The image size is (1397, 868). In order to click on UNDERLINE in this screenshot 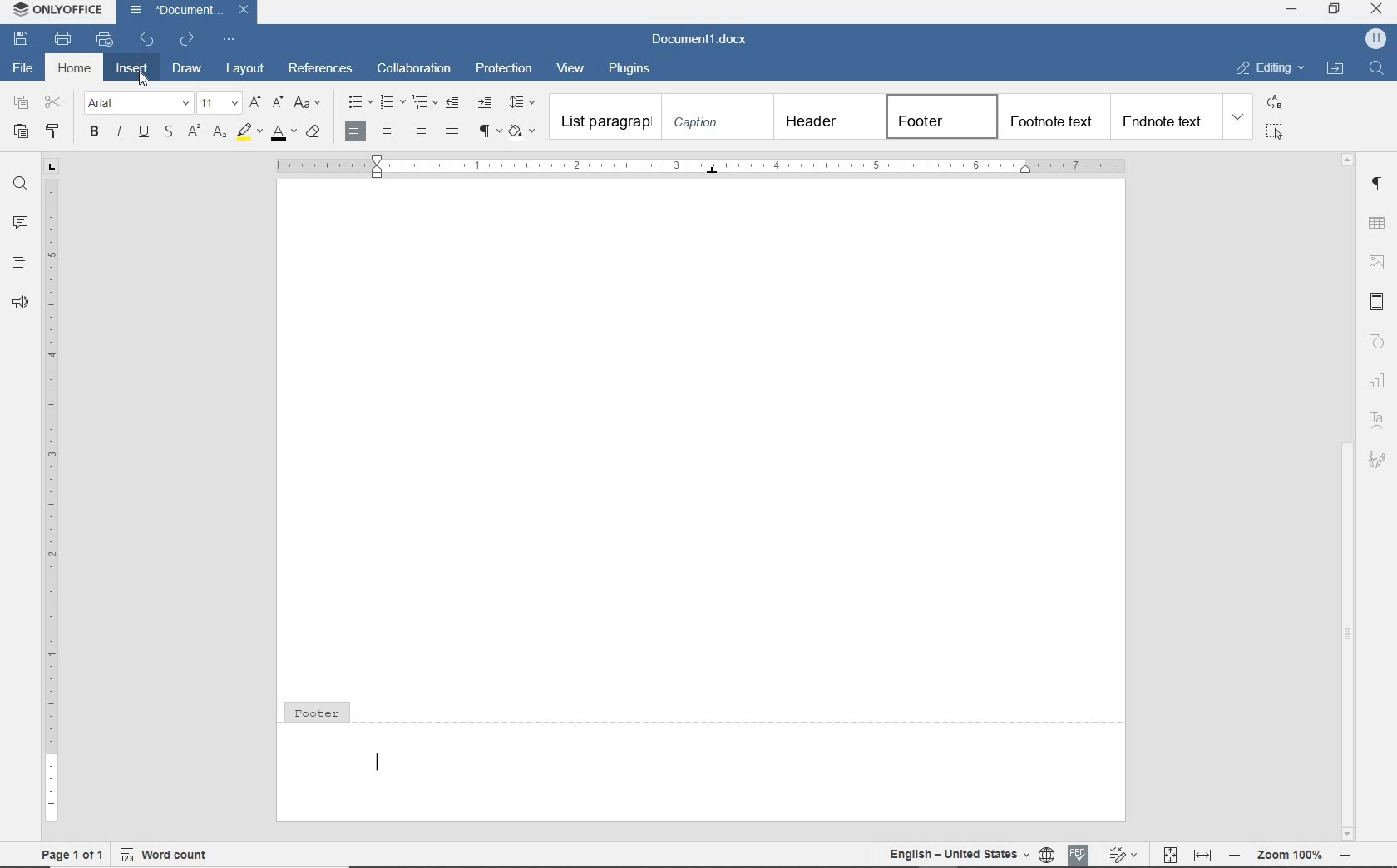, I will do `click(141, 133)`.